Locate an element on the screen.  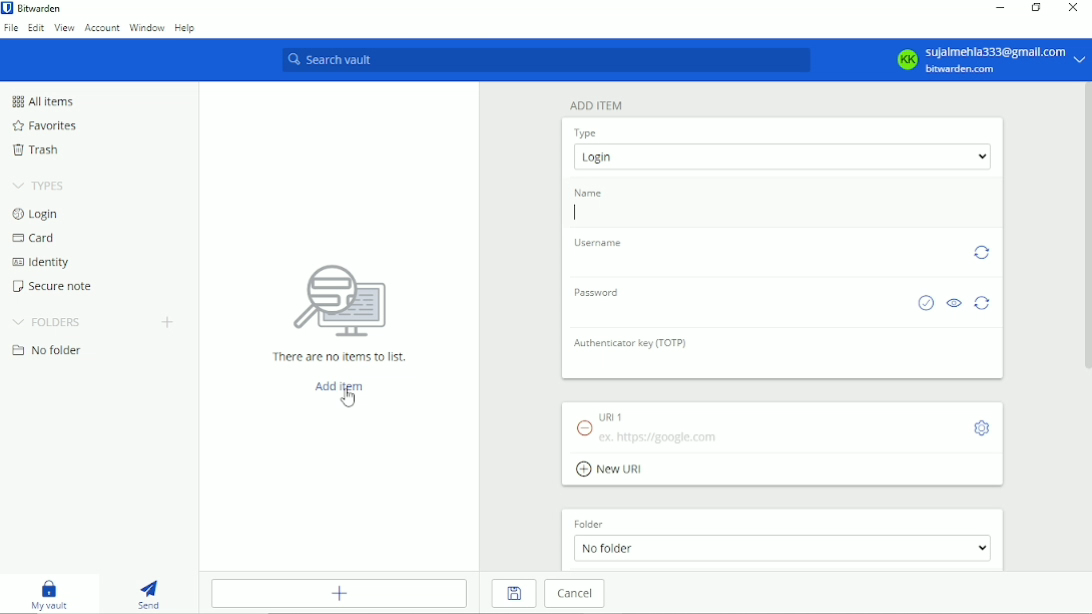
Generate password is located at coordinates (984, 306).